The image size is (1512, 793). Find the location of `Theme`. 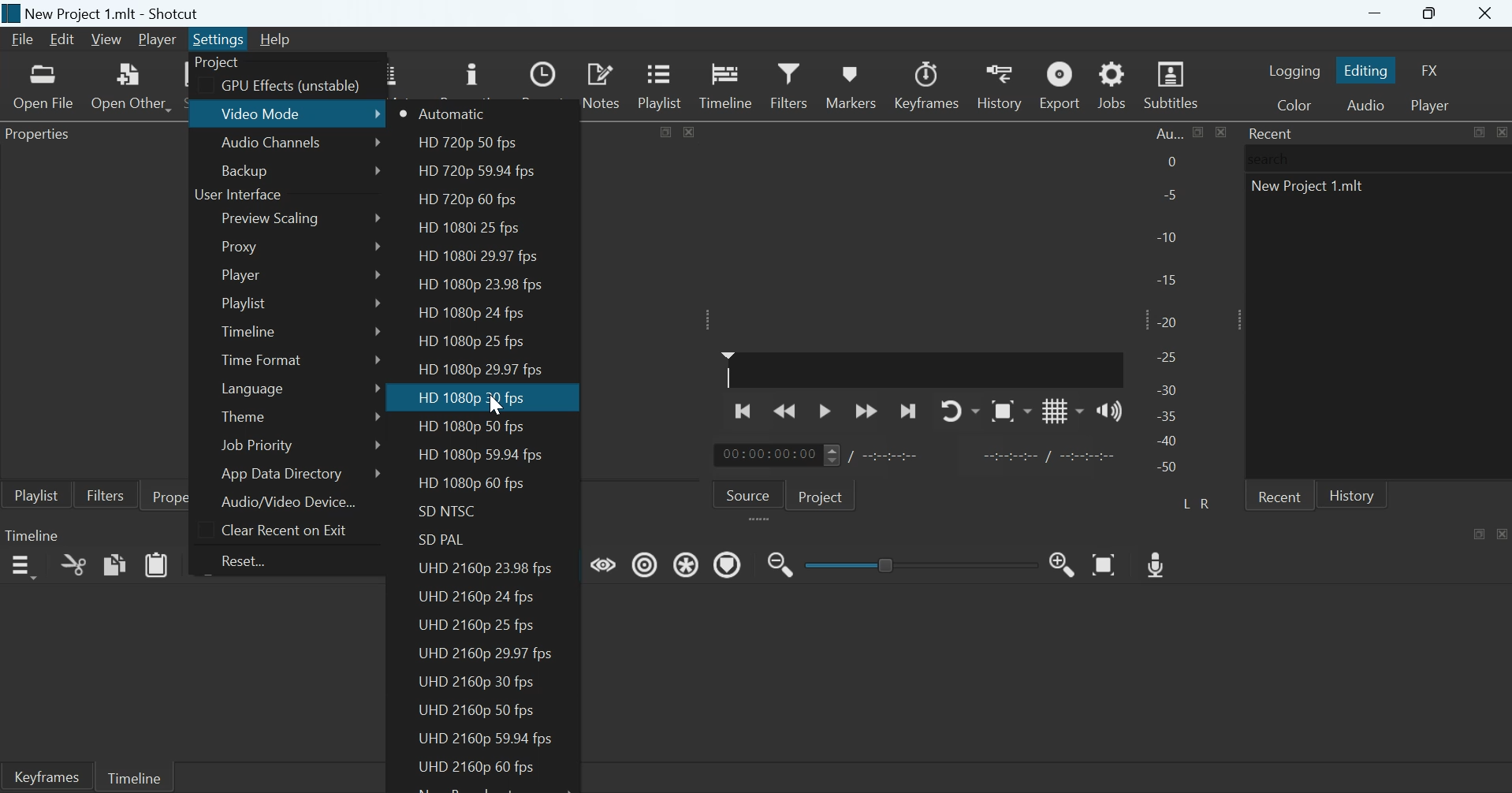

Theme is located at coordinates (246, 415).